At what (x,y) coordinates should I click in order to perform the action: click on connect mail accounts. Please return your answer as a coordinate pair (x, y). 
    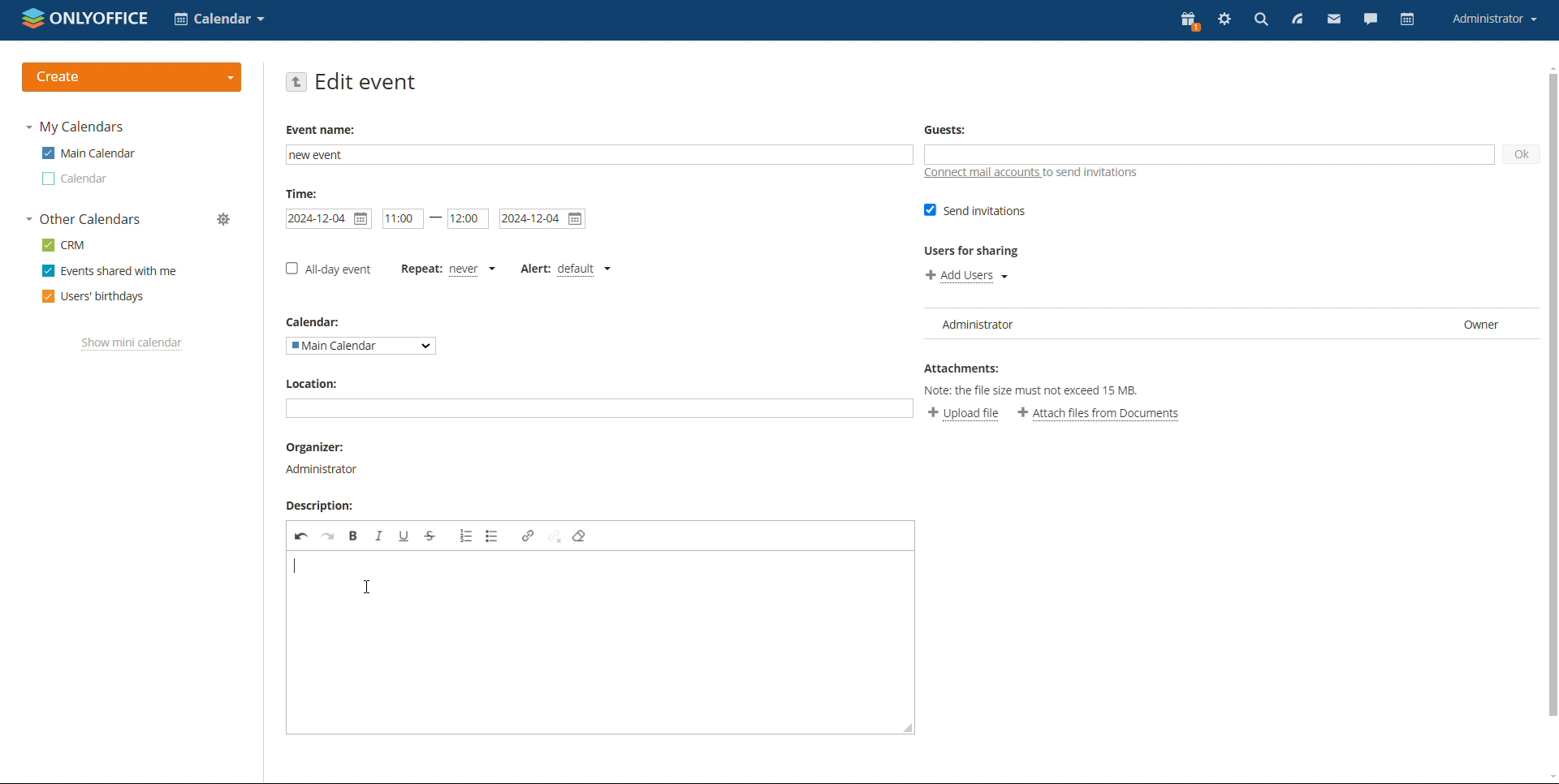
    Looking at the image, I should click on (978, 173).